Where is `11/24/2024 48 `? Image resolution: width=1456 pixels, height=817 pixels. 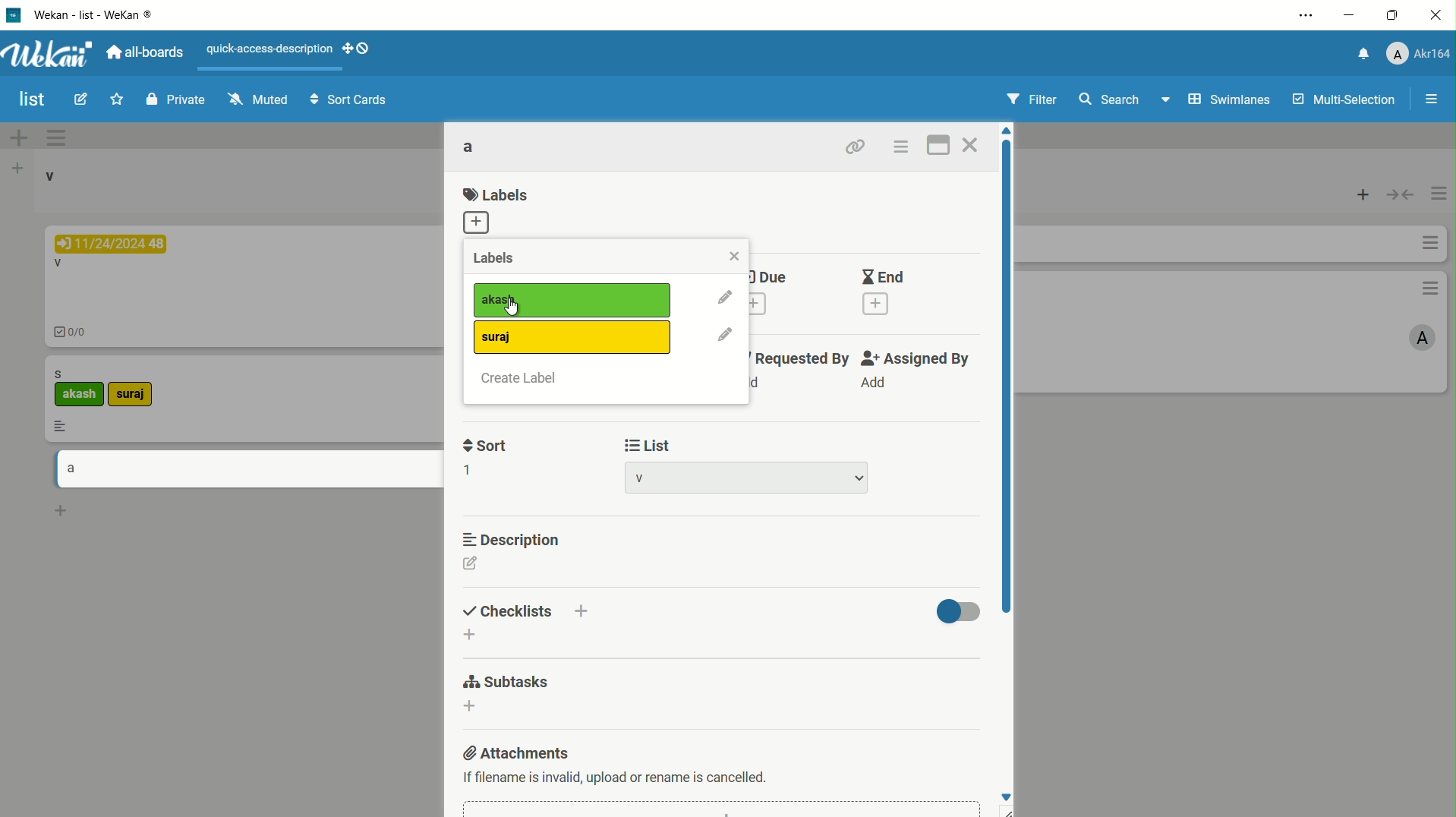
11/24/2024 48  is located at coordinates (117, 241).